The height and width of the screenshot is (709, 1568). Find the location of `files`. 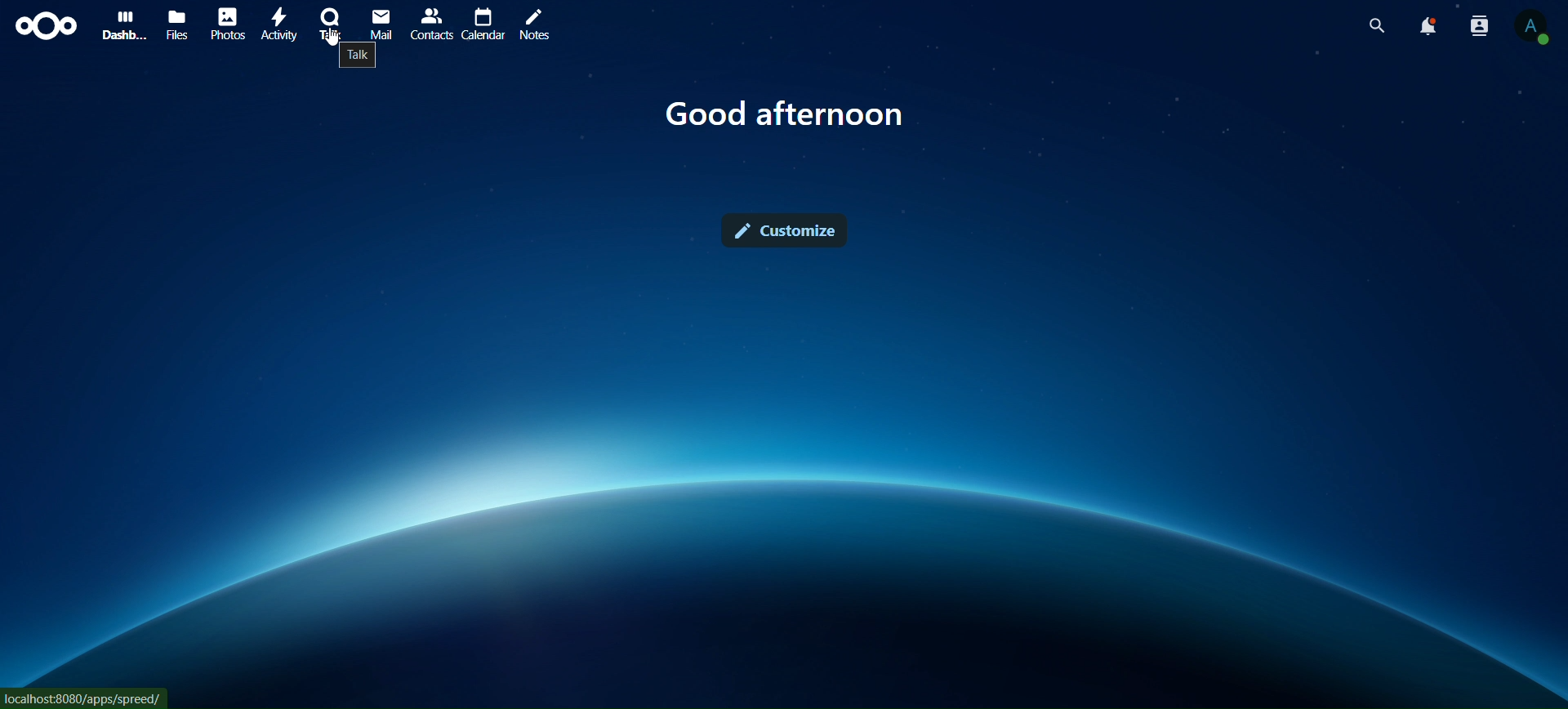

files is located at coordinates (176, 24).